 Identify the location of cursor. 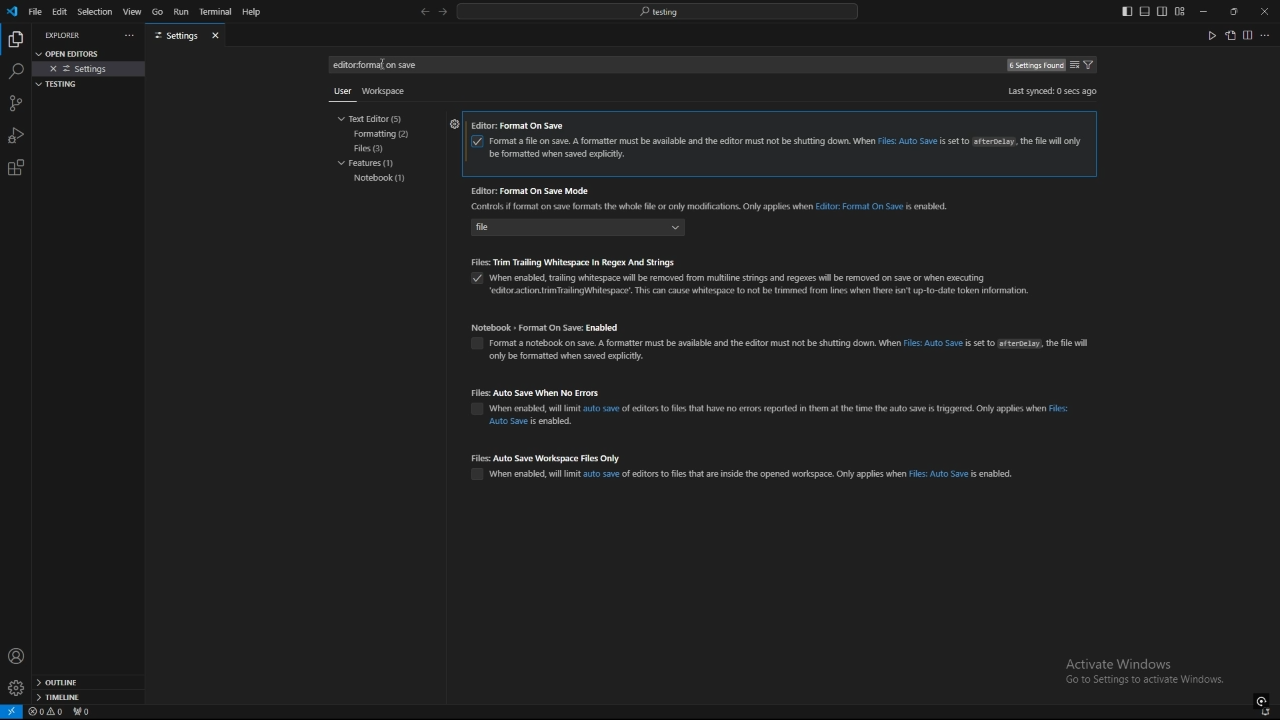
(383, 64).